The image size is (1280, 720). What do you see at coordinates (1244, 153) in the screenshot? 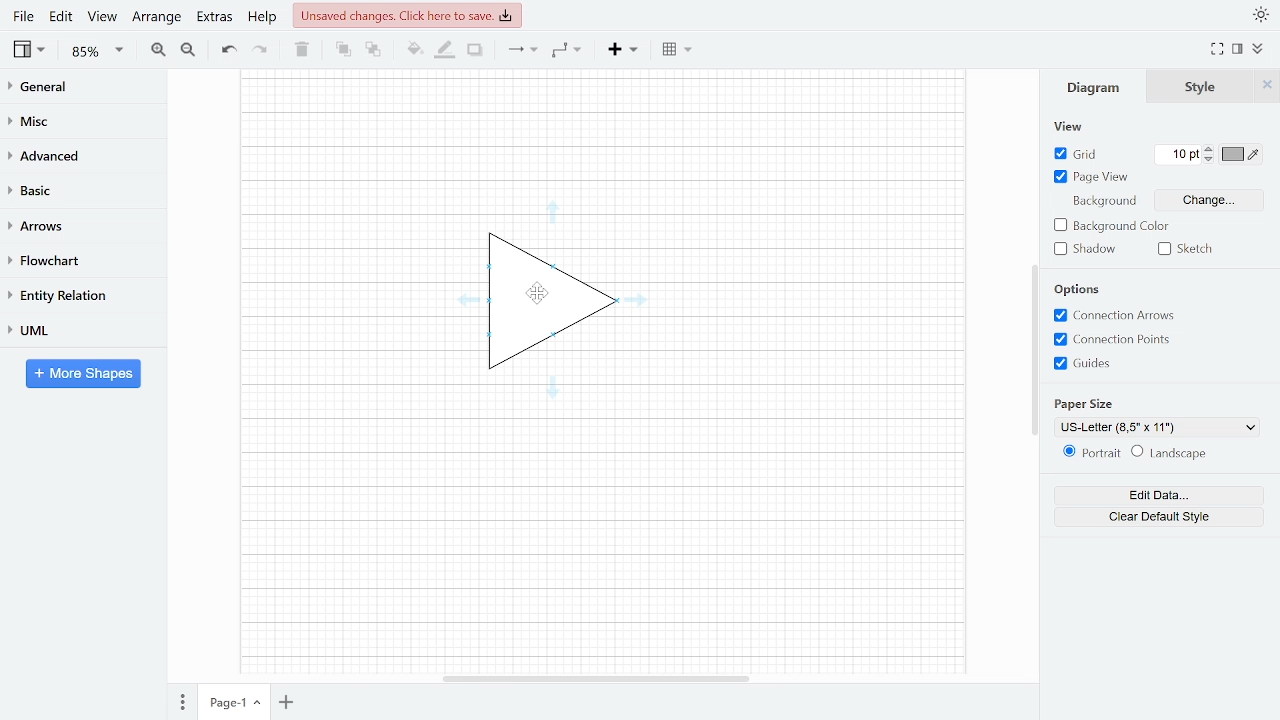
I see `Grid color` at bounding box center [1244, 153].